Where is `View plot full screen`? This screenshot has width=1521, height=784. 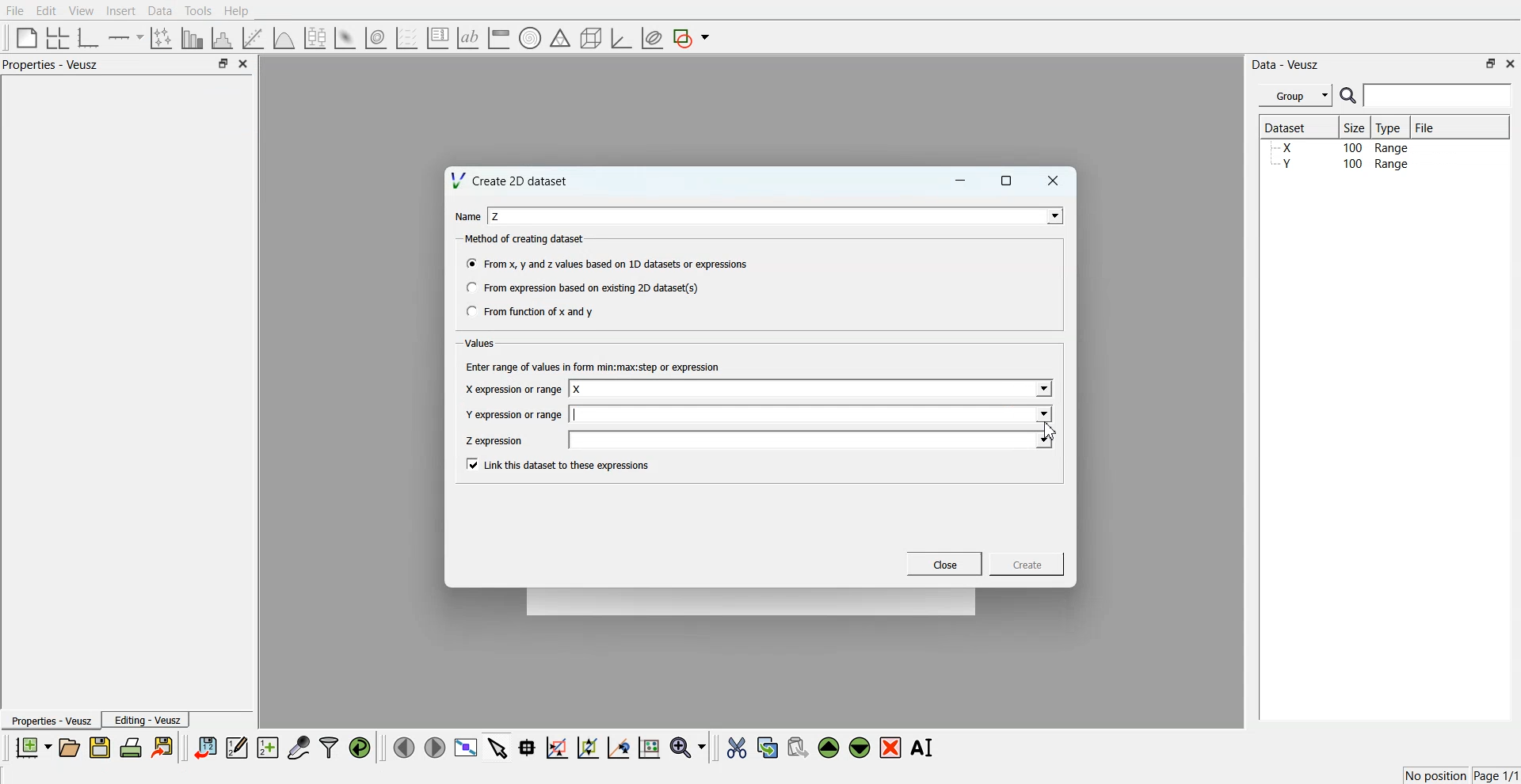 View plot full screen is located at coordinates (467, 747).